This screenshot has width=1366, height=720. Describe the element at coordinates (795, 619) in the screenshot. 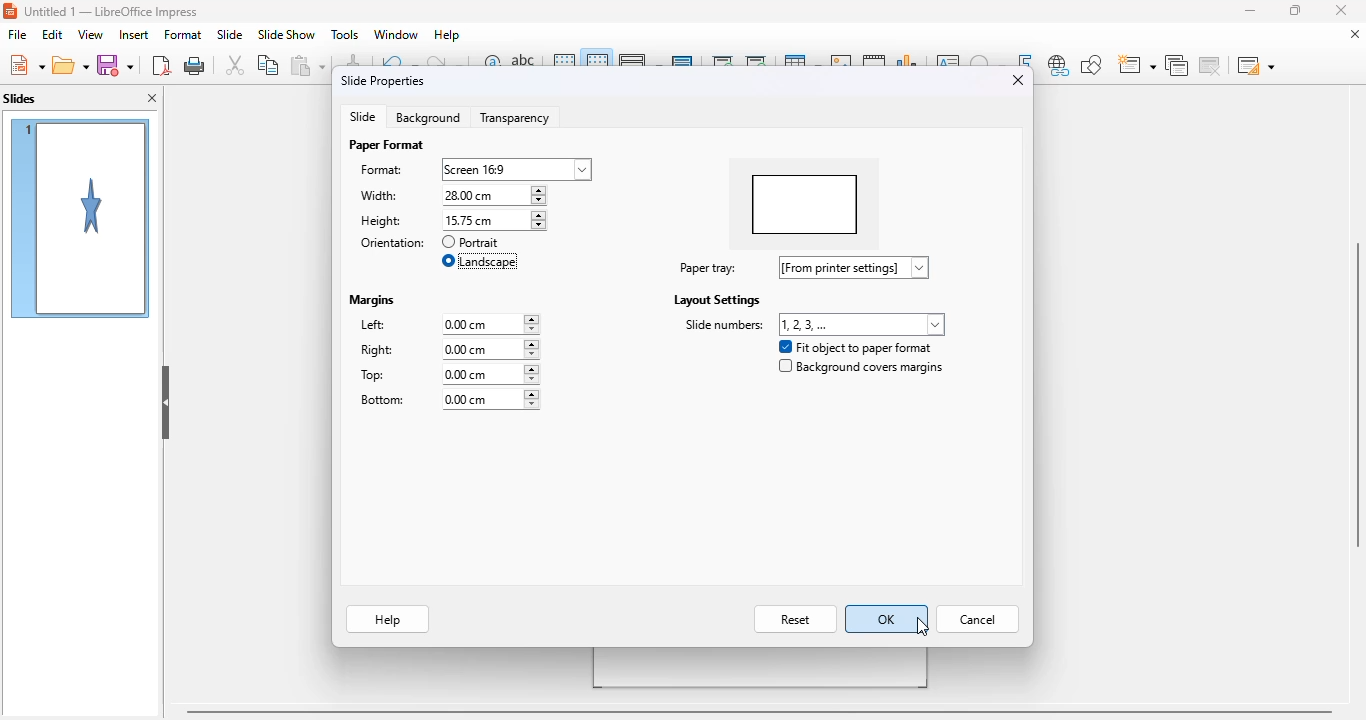

I see `reset` at that location.